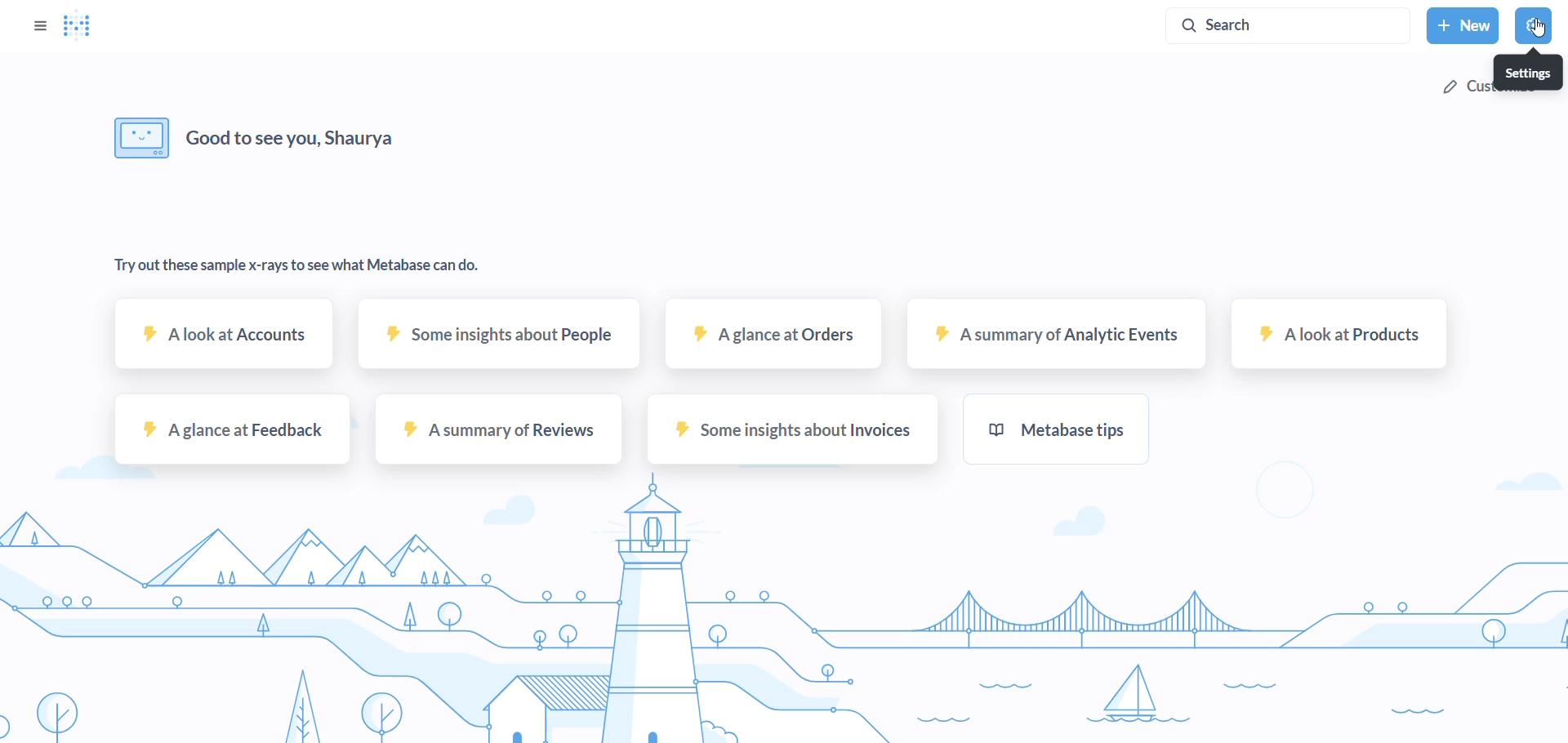  What do you see at coordinates (1290, 25) in the screenshot?
I see `search button` at bounding box center [1290, 25].